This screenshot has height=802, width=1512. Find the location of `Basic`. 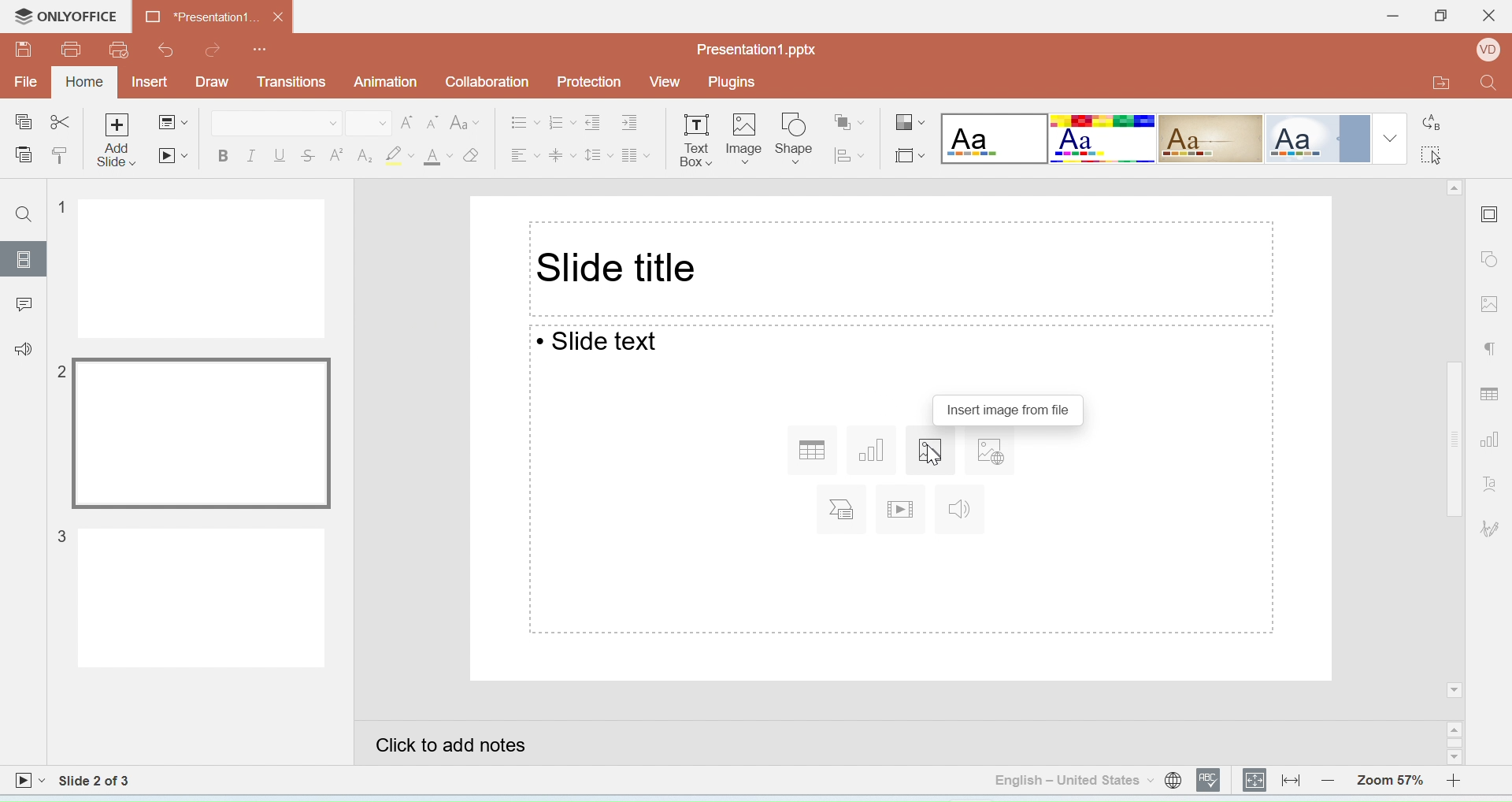

Basic is located at coordinates (1103, 139).